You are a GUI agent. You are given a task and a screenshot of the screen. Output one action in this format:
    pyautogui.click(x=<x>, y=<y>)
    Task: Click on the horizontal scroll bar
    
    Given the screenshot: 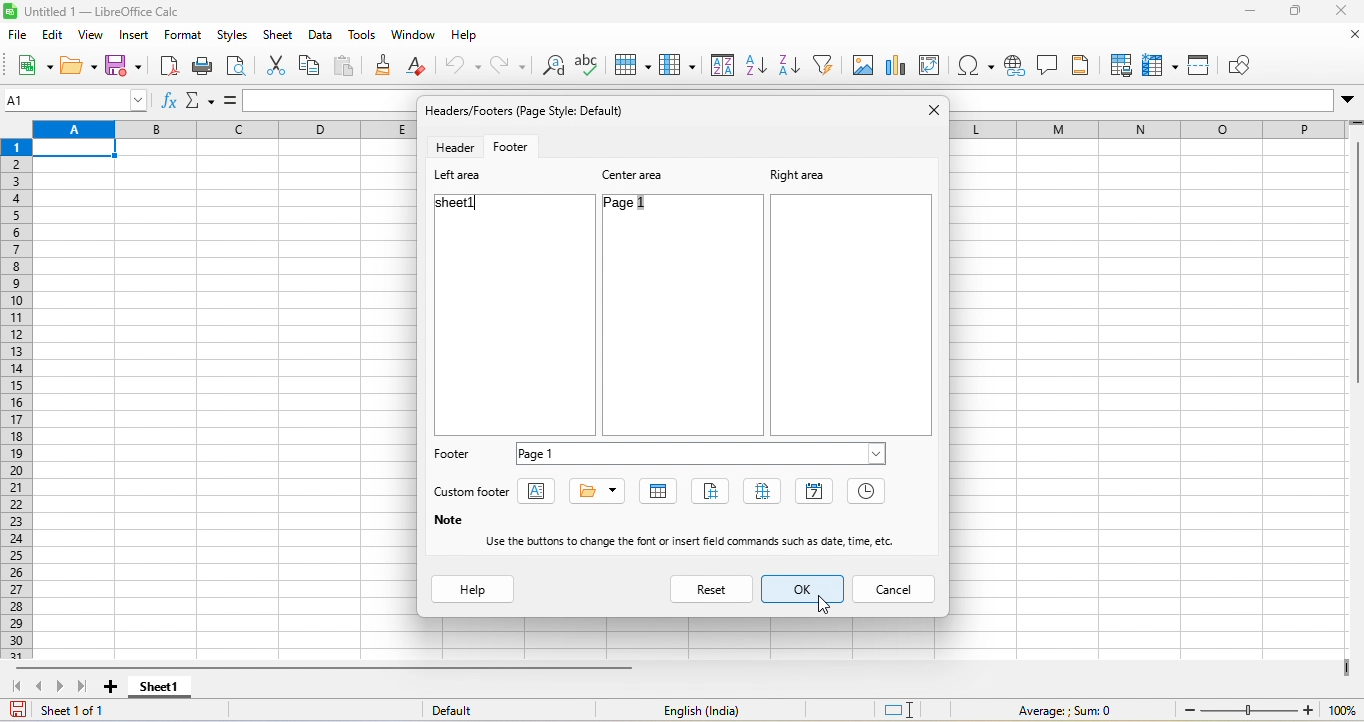 What is the action you would take?
    pyautogui.click(x=324, y=667)
    